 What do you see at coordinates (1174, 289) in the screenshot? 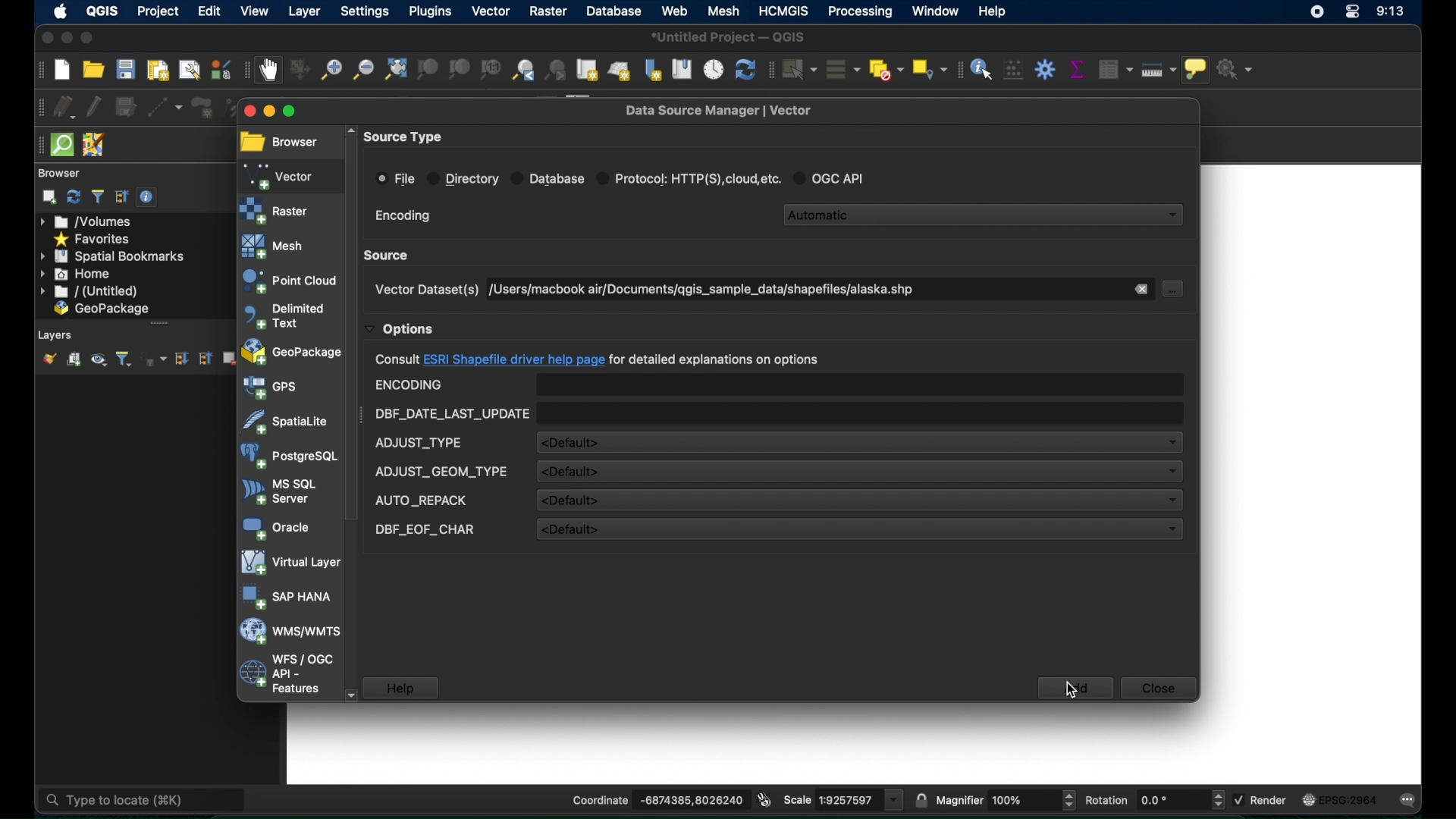
I see `select dataset button` at bounding box center [1174, 289].